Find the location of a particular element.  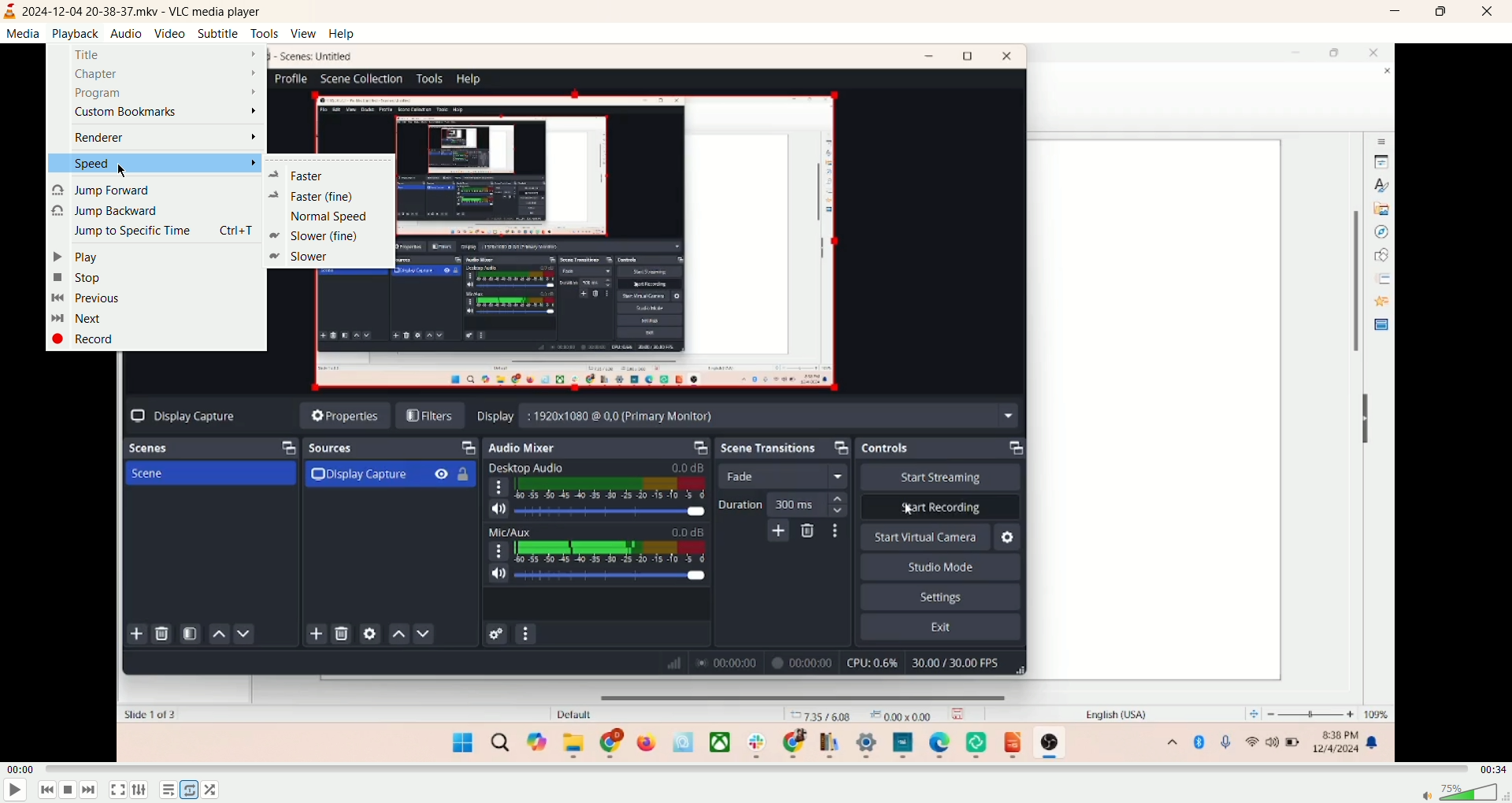

tools is located at coordinates (265, 34).